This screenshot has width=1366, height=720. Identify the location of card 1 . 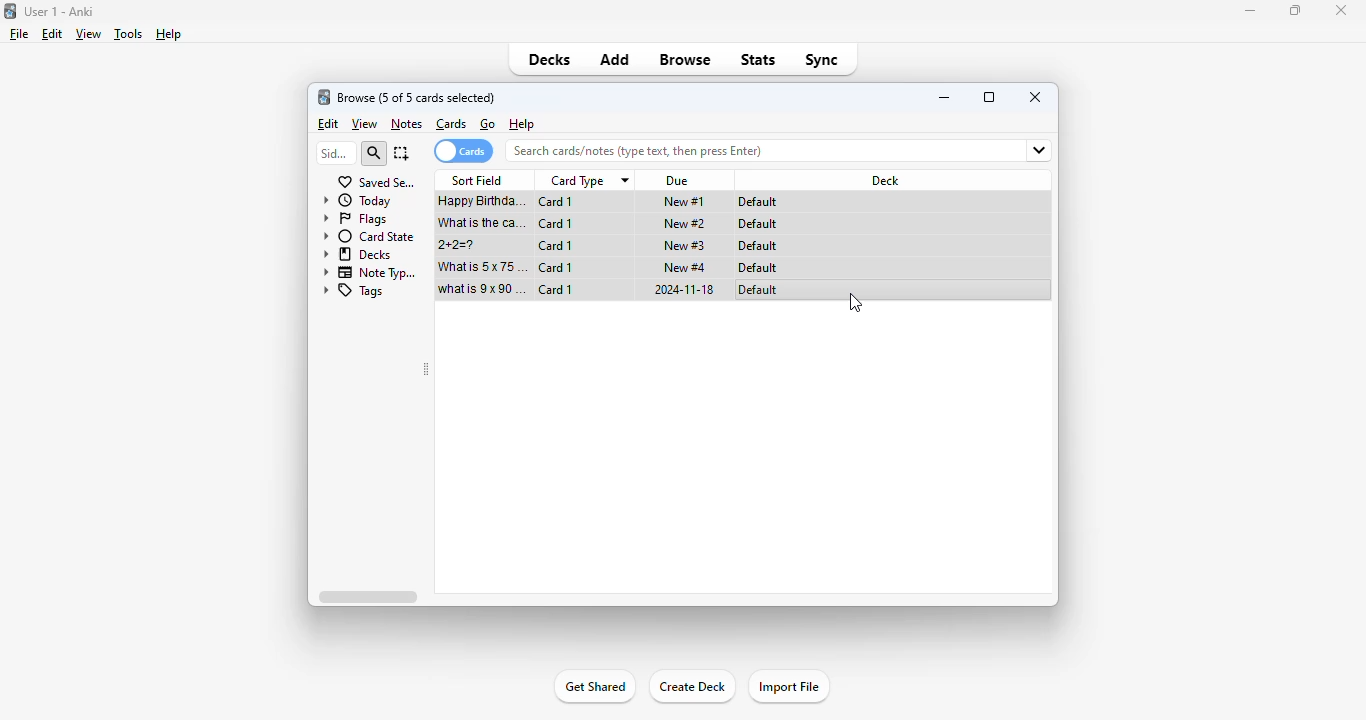
(556, 289).